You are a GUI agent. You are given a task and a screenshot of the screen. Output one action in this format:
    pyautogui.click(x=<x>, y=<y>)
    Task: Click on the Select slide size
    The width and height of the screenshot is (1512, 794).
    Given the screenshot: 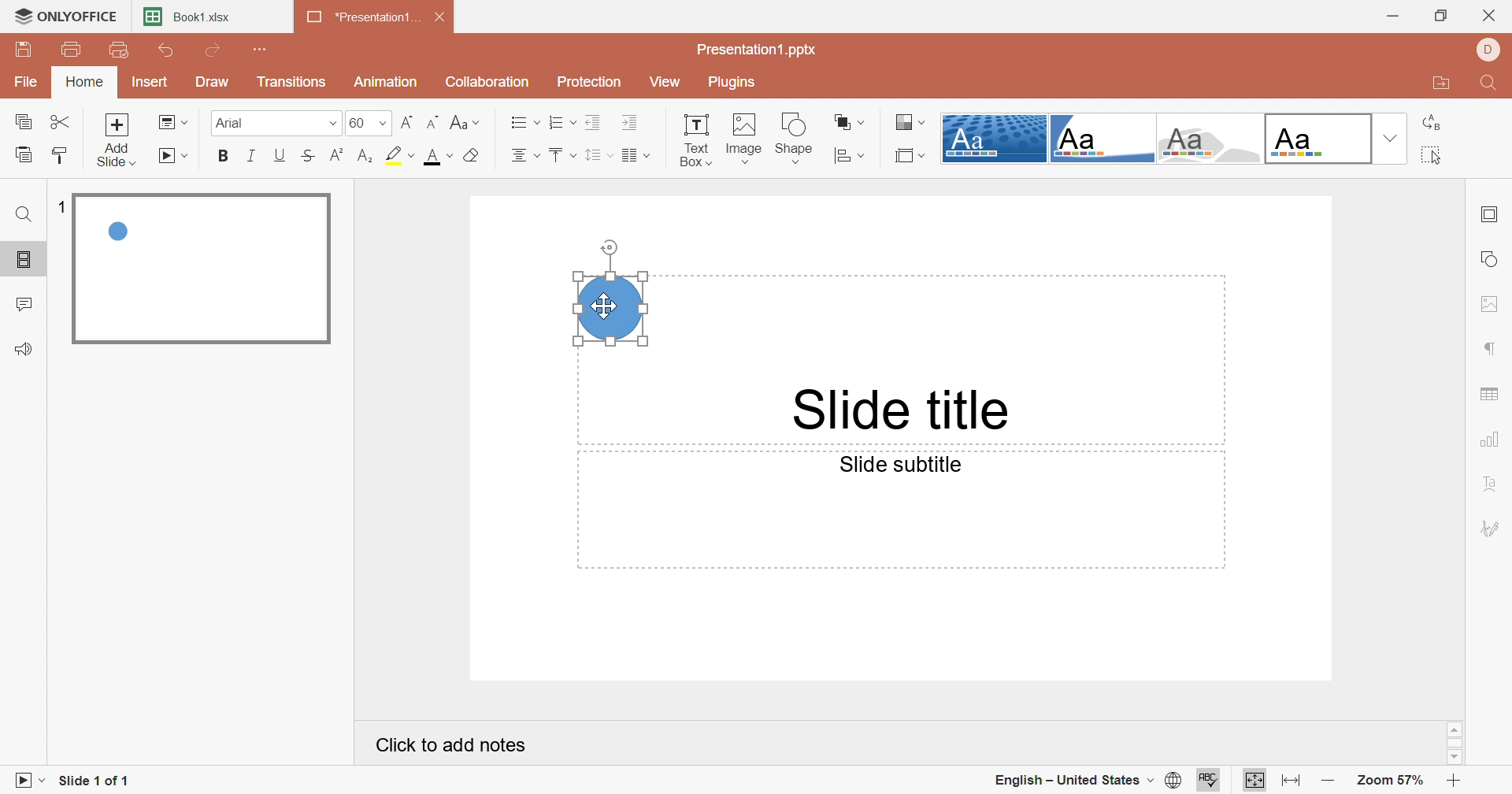 What is the action you would take?
    pyautogui.click(x=912, y=155)
    